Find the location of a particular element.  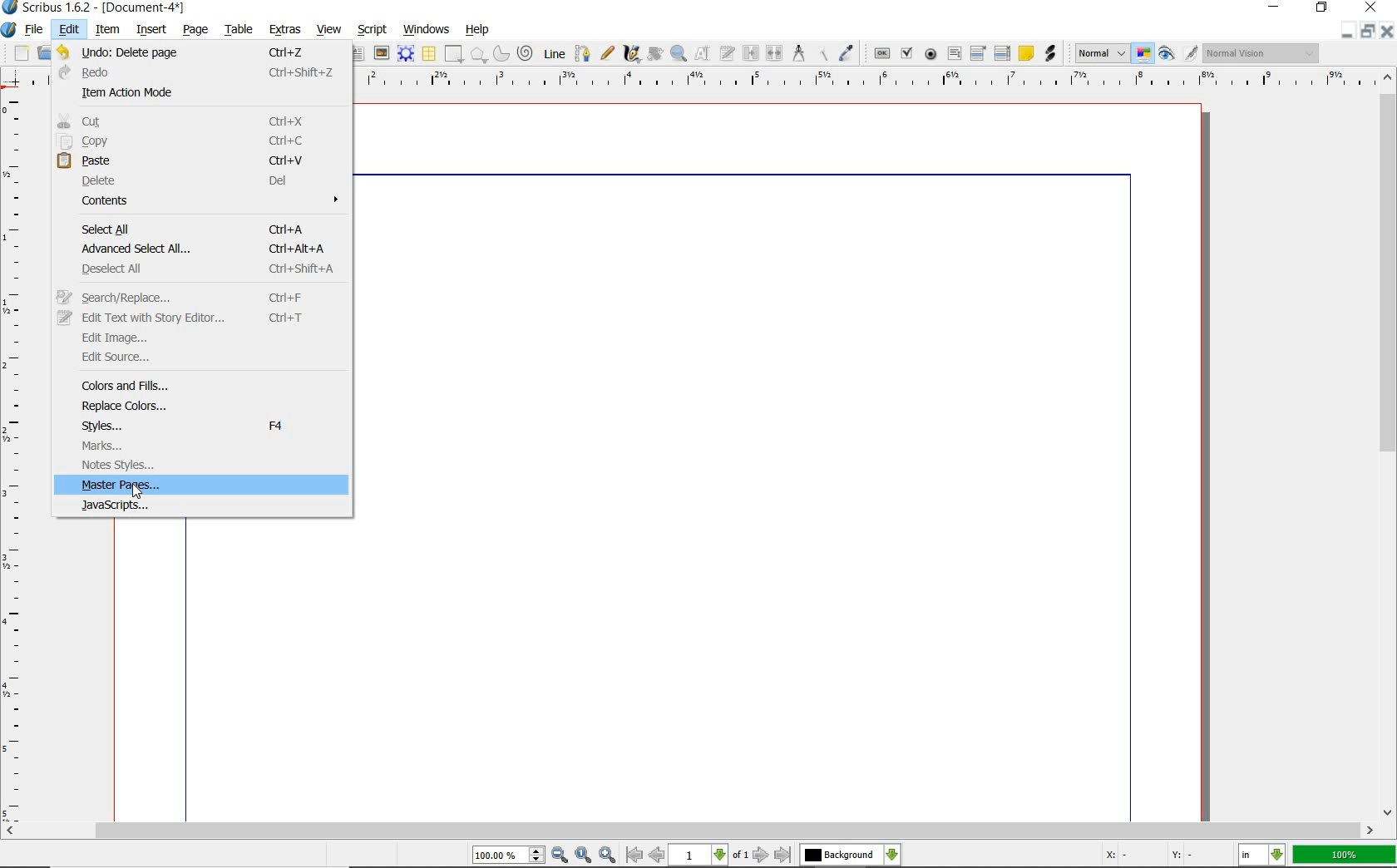

ruler is located at coordinates (15, 454).